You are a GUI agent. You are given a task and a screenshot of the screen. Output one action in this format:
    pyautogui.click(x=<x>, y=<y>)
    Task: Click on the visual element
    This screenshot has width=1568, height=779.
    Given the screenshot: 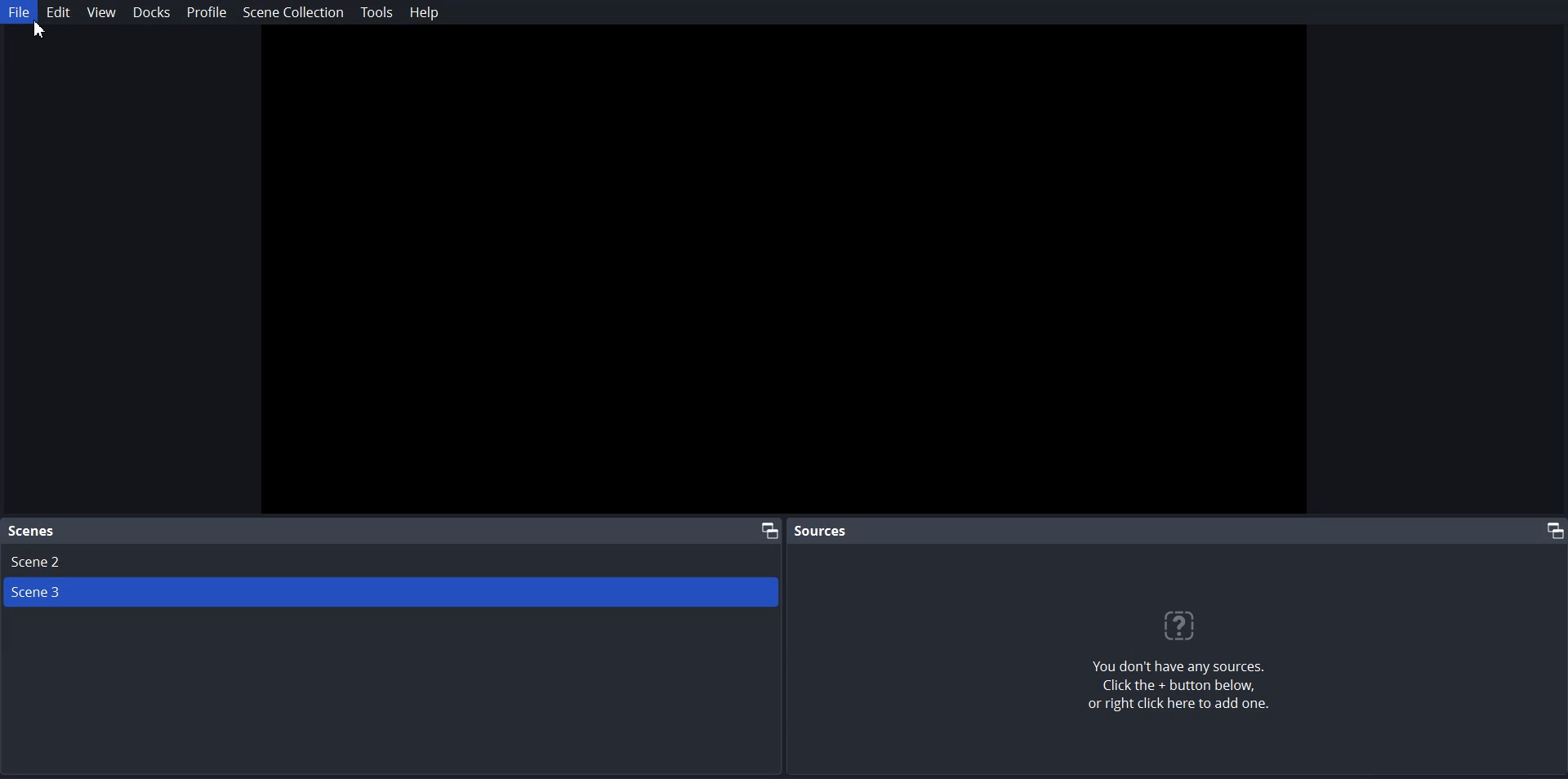 What is the action you would take?
    pyautogui.click(x=1187, y=625)
    